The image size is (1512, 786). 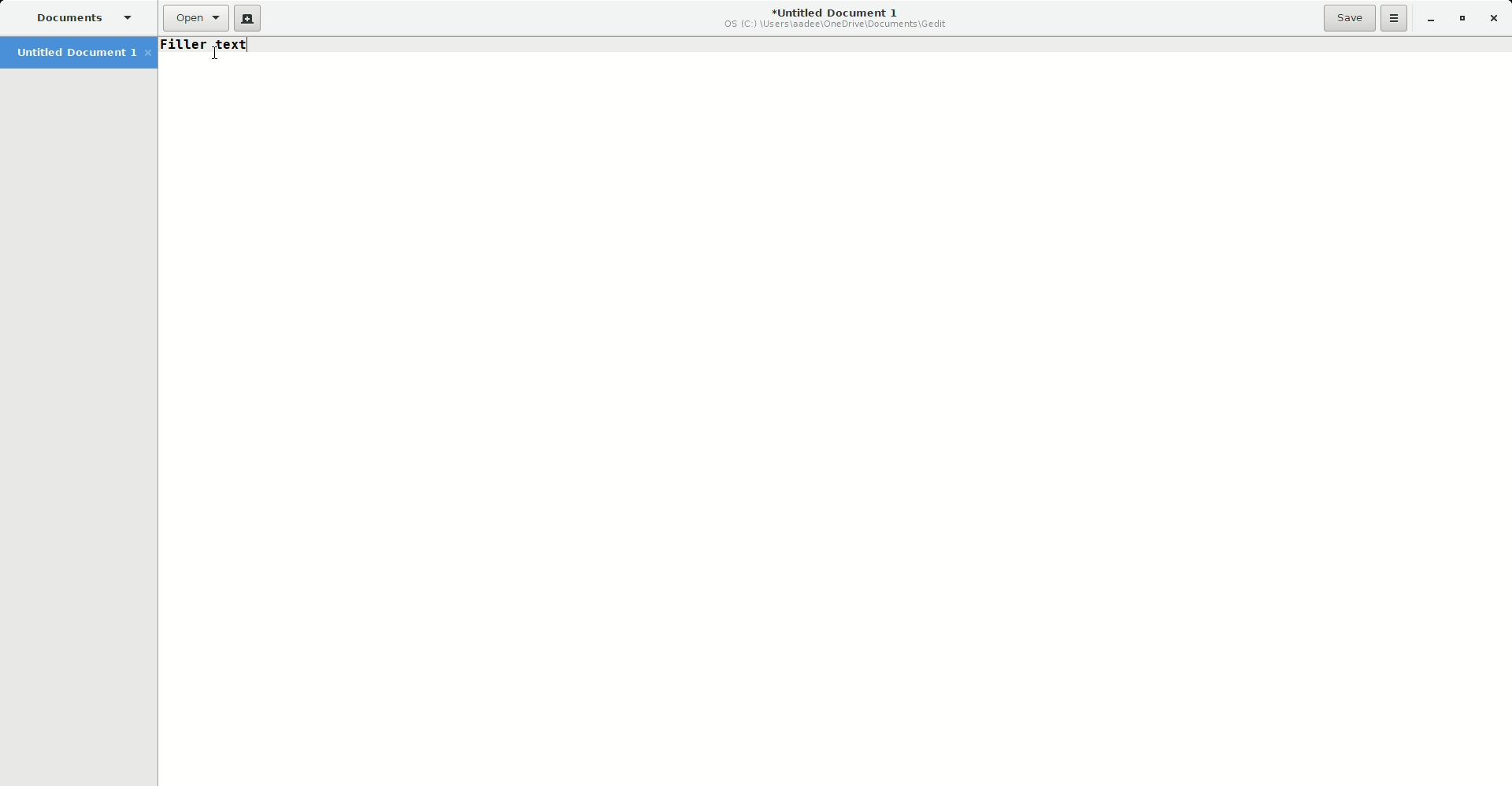 I want to click on Options, so click(x=1395, y=18).